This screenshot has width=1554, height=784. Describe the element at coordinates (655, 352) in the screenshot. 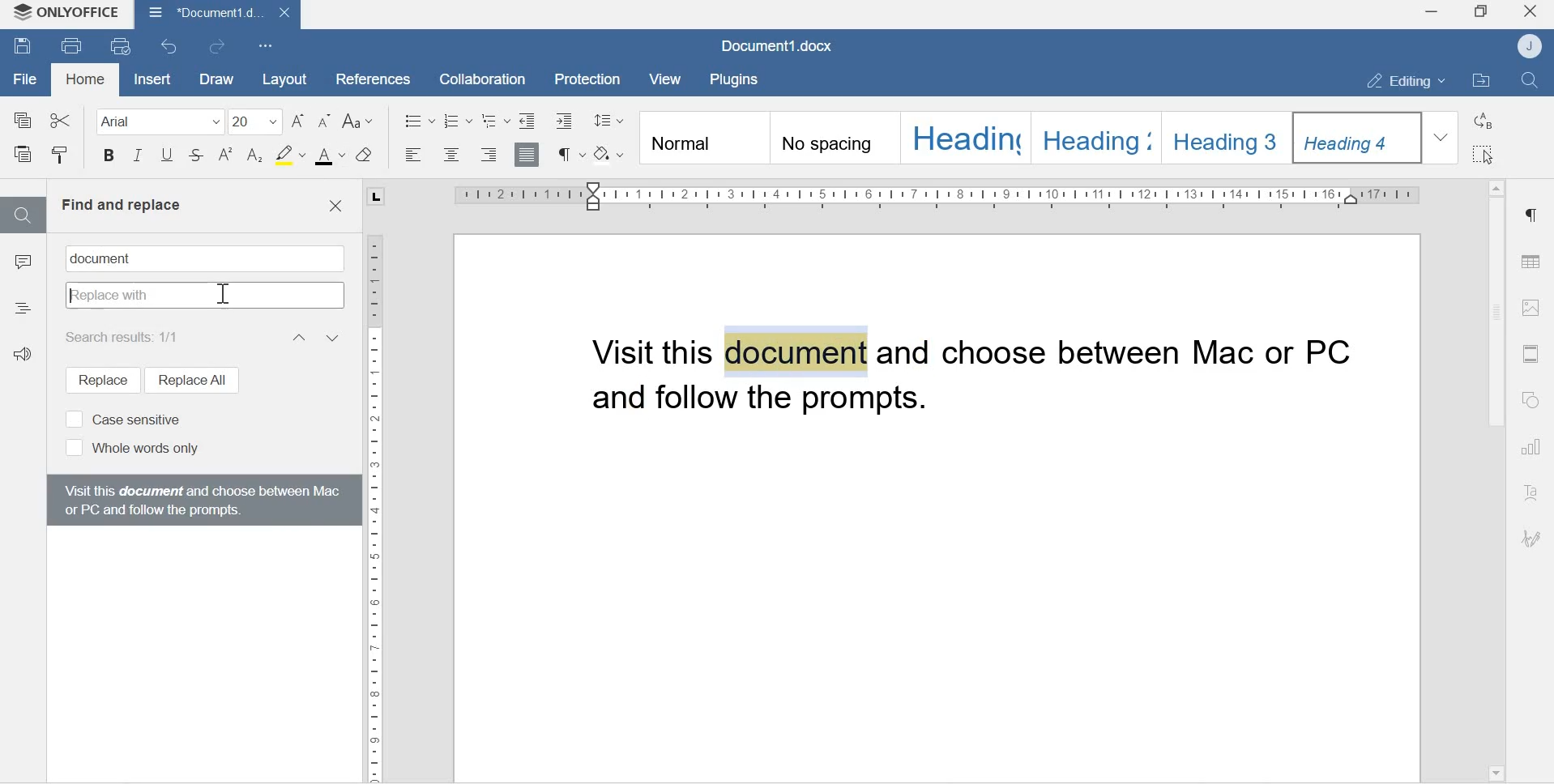

I see `Visit this` at that location.